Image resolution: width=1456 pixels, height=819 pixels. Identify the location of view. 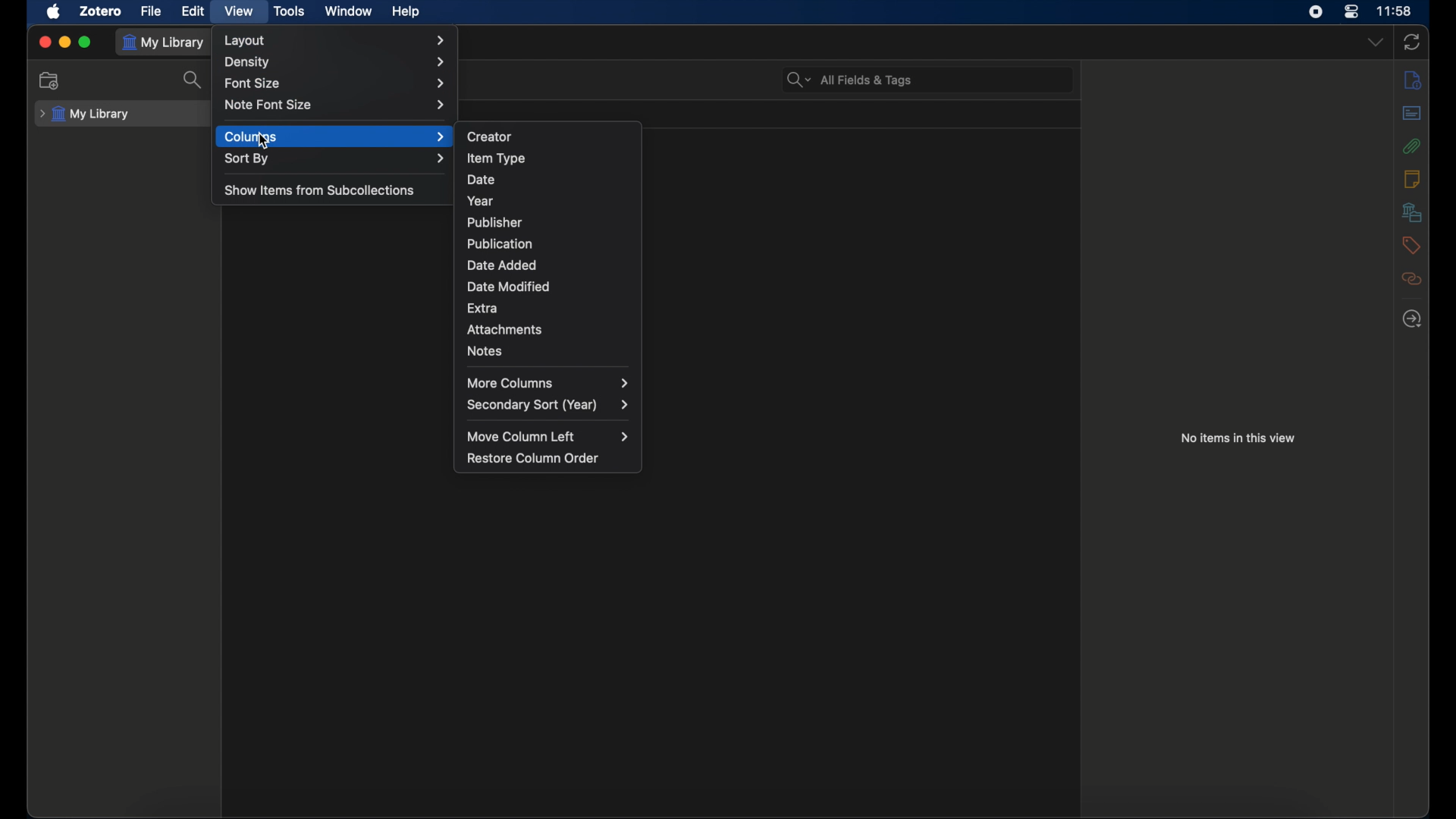
(240, 11).